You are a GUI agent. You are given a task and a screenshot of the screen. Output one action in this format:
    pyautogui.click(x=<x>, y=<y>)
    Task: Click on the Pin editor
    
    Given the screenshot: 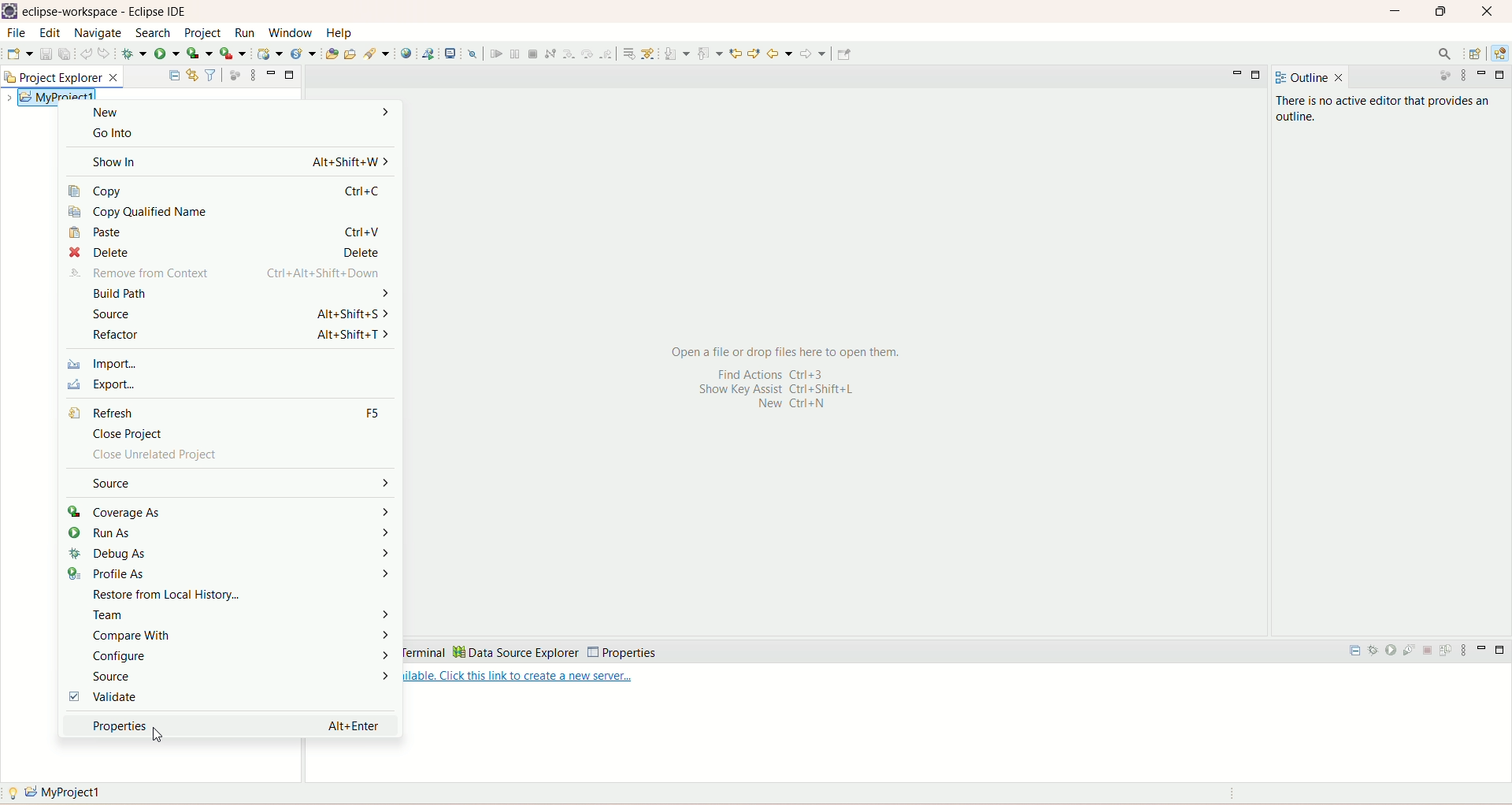 What is the action you would take?
    pyautogui.click(x=845, y=54)
    